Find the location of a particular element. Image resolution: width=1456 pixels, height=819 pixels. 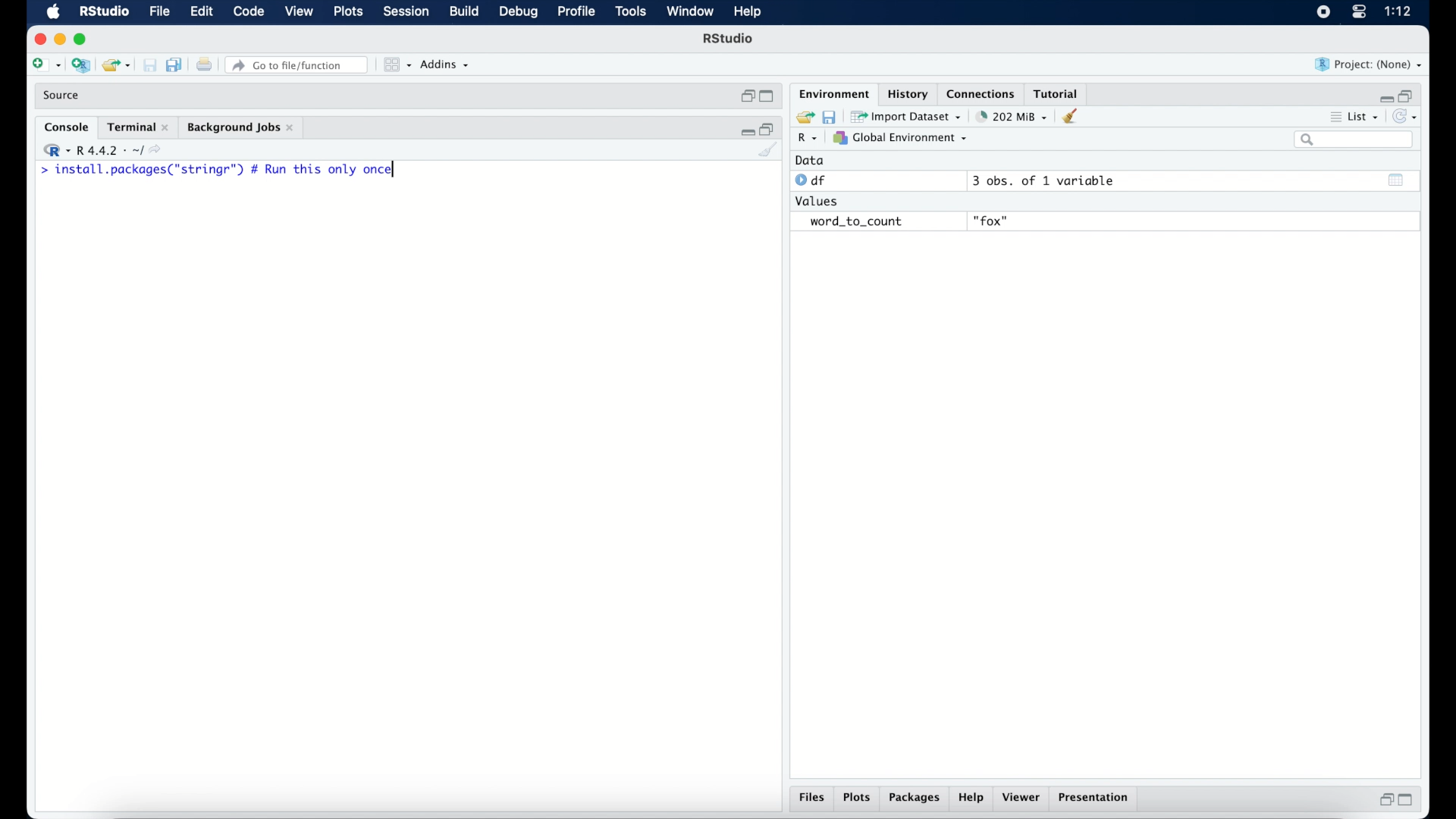

save all document is located at coordinates (177, 66).